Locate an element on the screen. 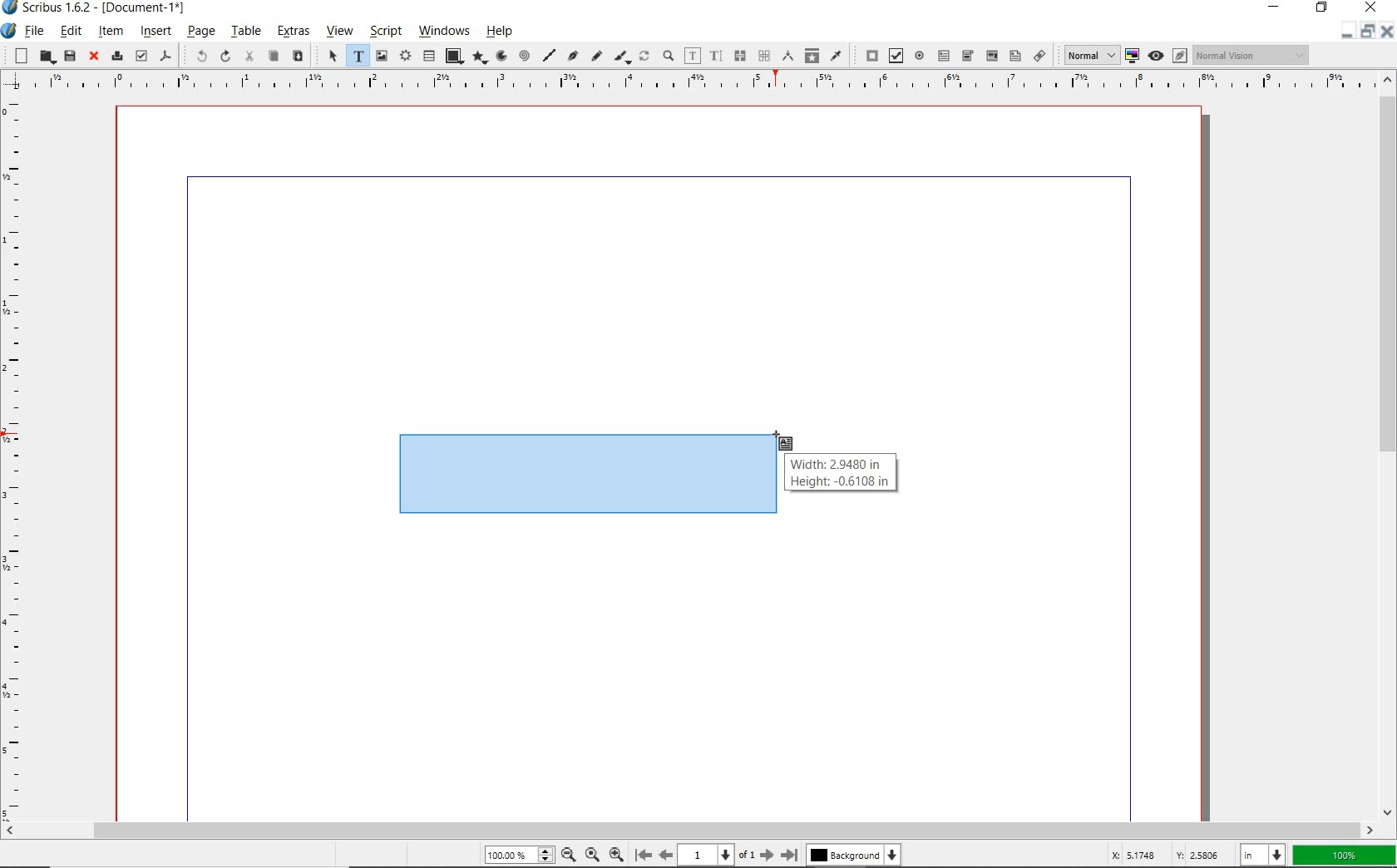  freehand line is located at coordinates (595, 57).